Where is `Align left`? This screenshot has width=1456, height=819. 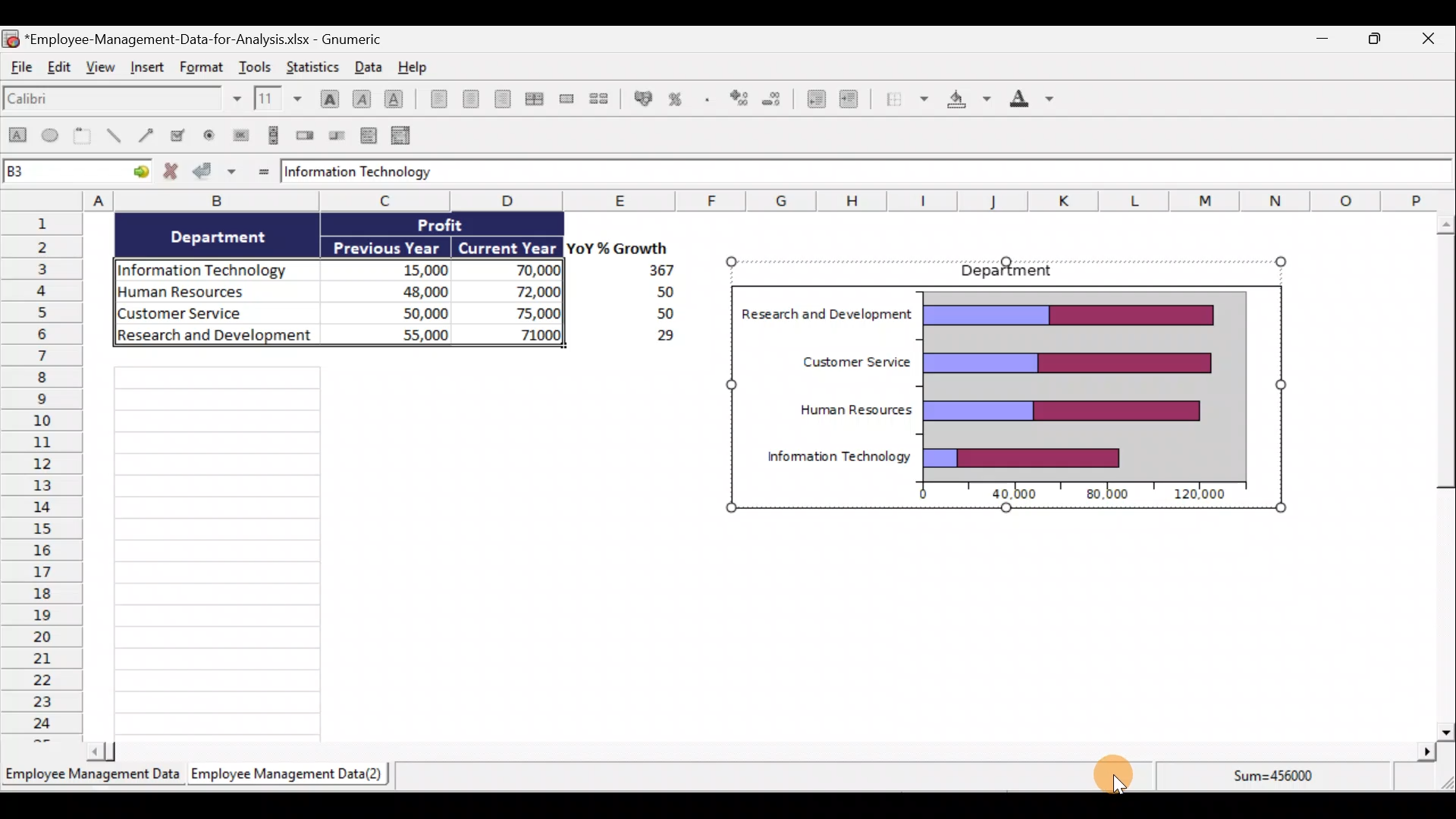
Align left is located at coordinates (438, 99).